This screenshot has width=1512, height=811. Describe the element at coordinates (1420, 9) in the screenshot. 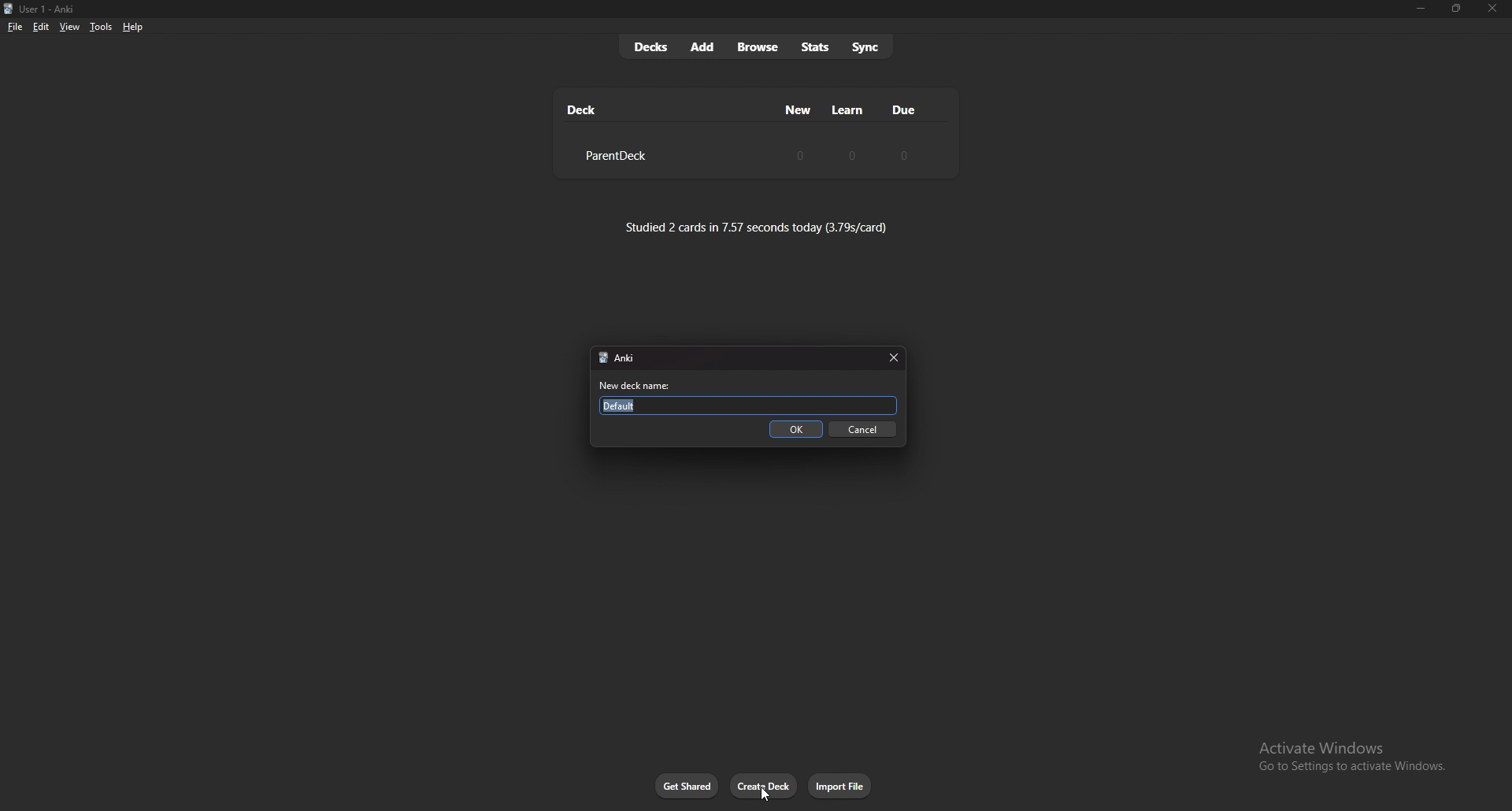

I see `minimize` at that location.